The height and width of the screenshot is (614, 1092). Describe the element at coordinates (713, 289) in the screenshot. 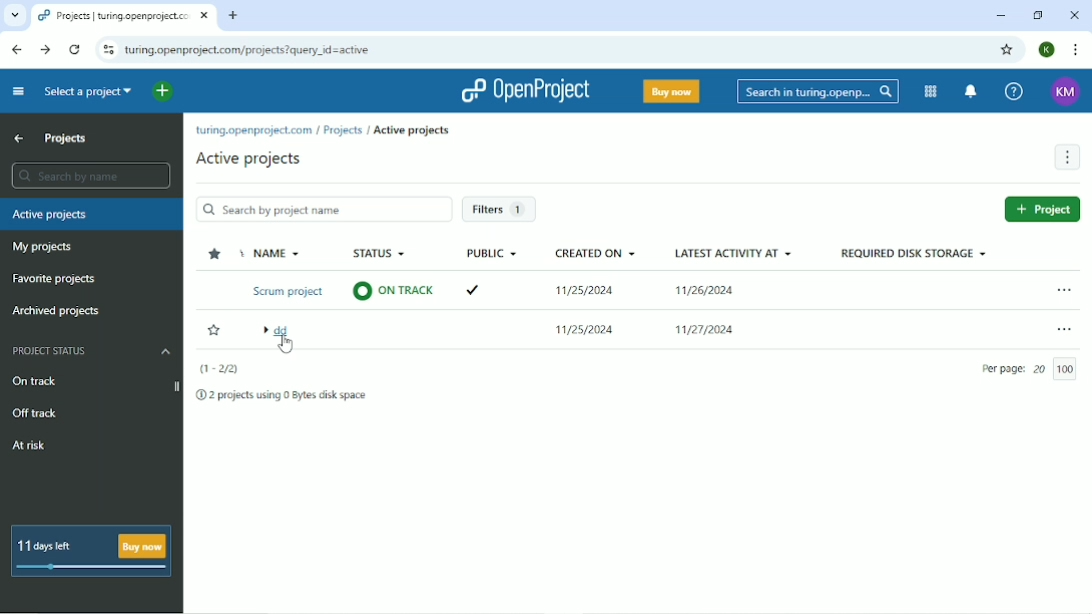

I see `11/26/2024` at that location.